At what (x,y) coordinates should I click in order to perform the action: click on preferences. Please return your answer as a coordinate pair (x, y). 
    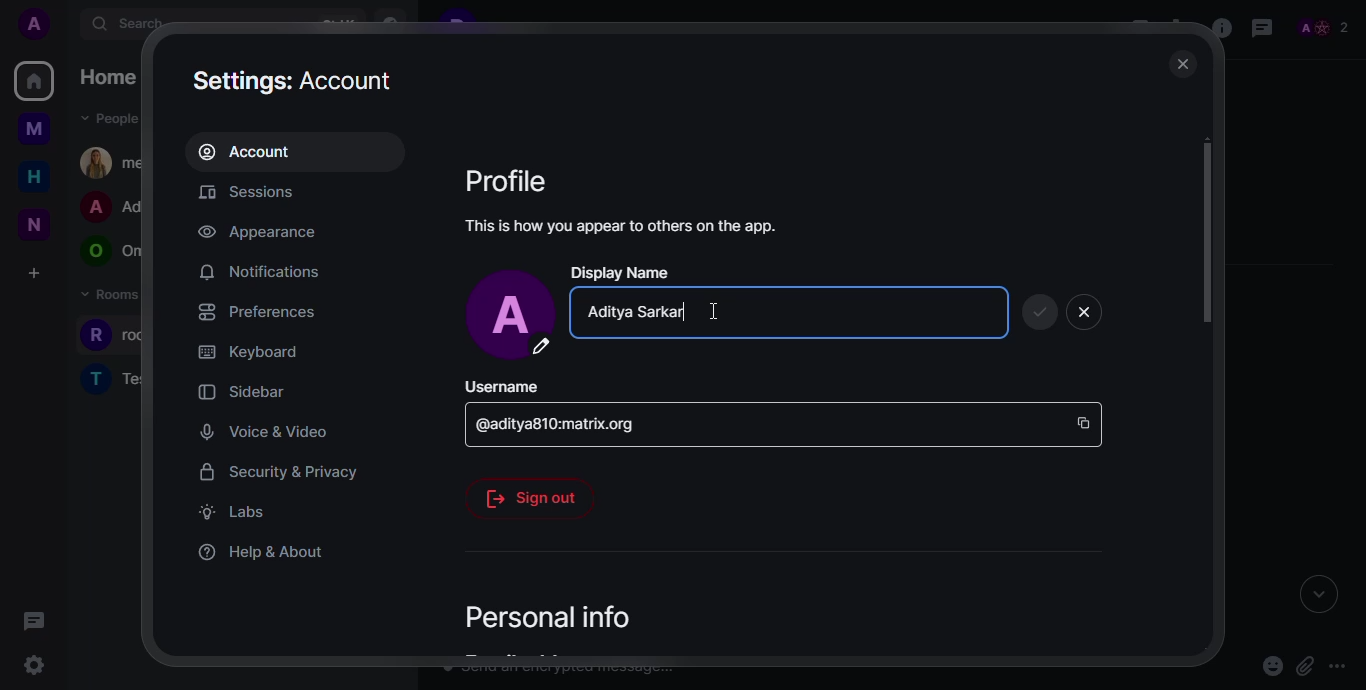
    Looking at the image, I should click on (257, 311).